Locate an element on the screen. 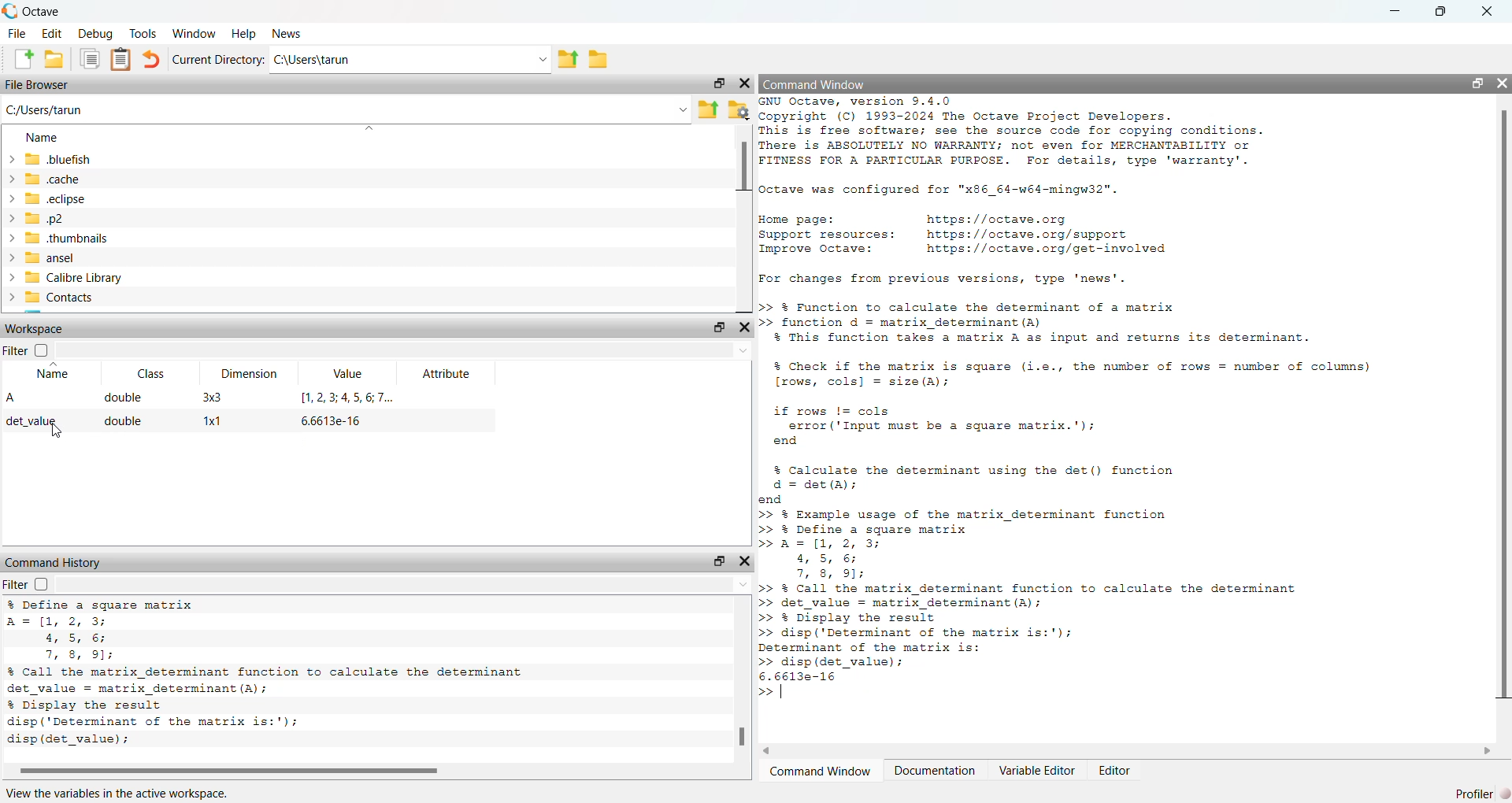 This screenshot has width=1512, height=803. scrollbar is located at coordinates (354, 771).